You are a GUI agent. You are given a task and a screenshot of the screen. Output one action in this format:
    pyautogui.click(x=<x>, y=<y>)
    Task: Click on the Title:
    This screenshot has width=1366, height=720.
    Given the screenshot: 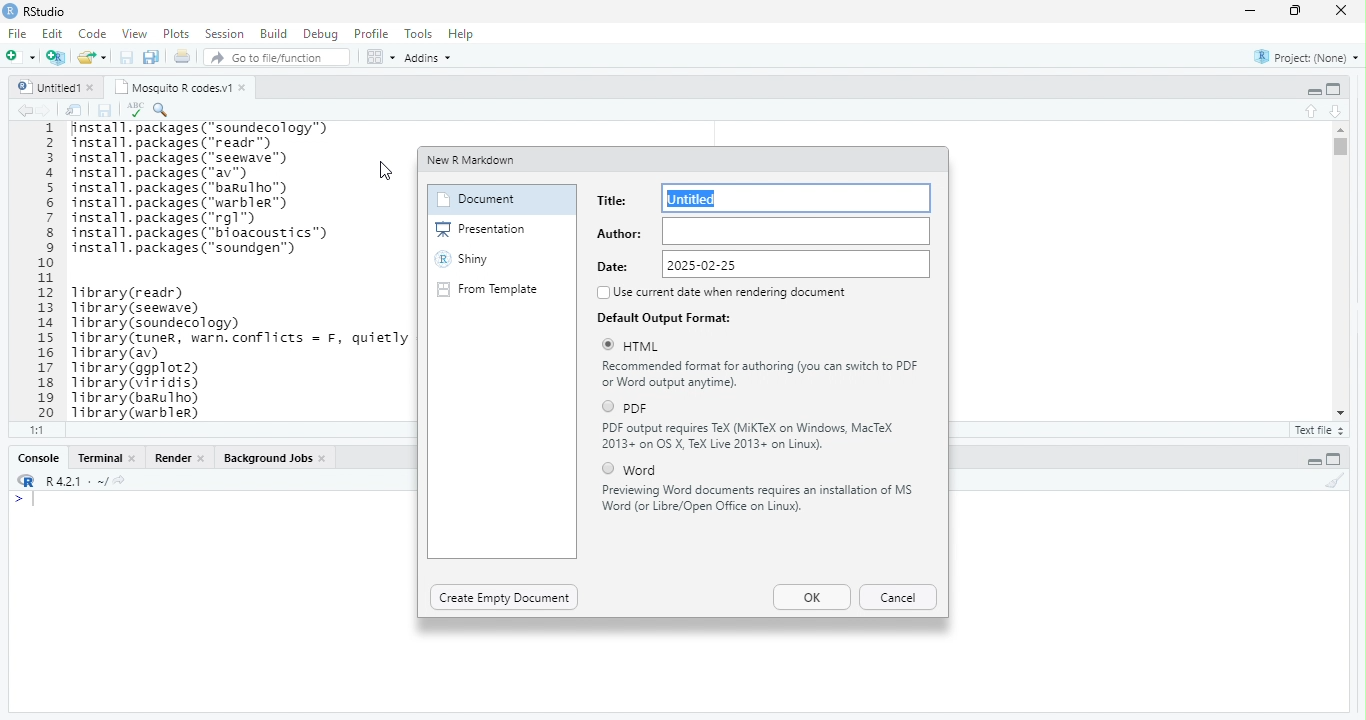 What is the action you would take?
    pyautogui.click(x=613, y=200)
    